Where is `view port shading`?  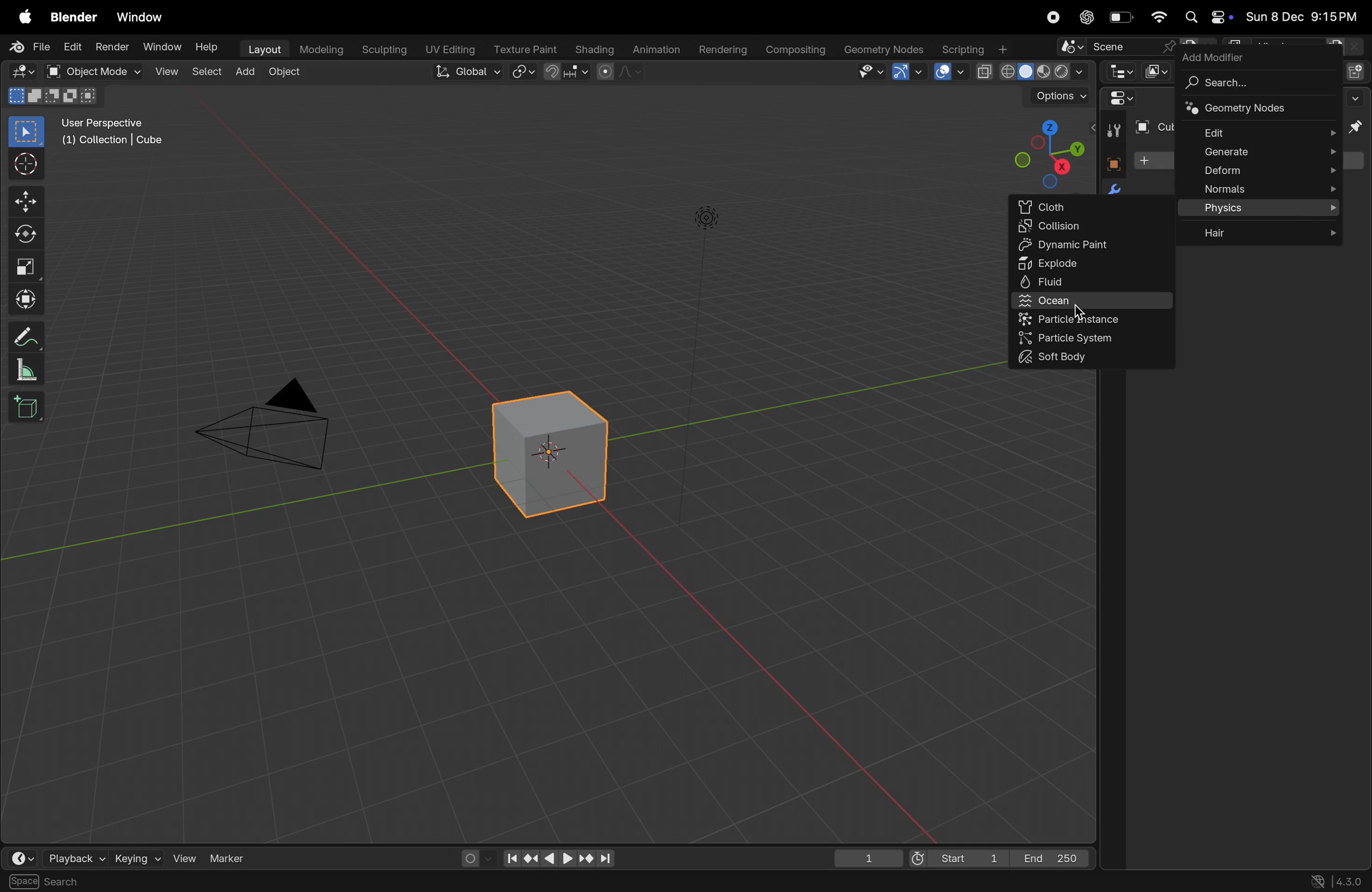 view port shading is located at coordinates (1031, 72).